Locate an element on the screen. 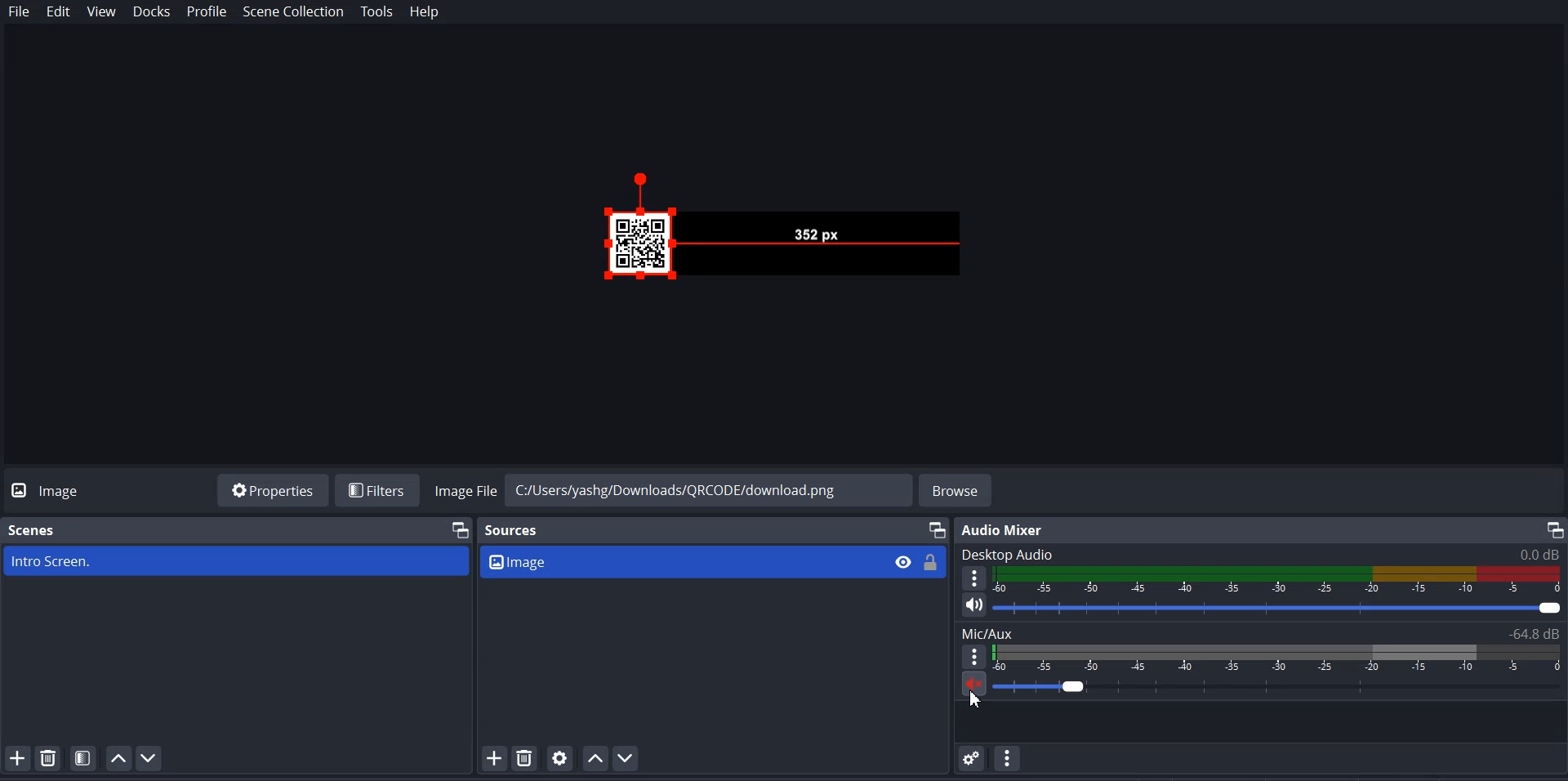 This screenshot has height=781, width=1568. Move scene Up is located at coordinates (117, 758).